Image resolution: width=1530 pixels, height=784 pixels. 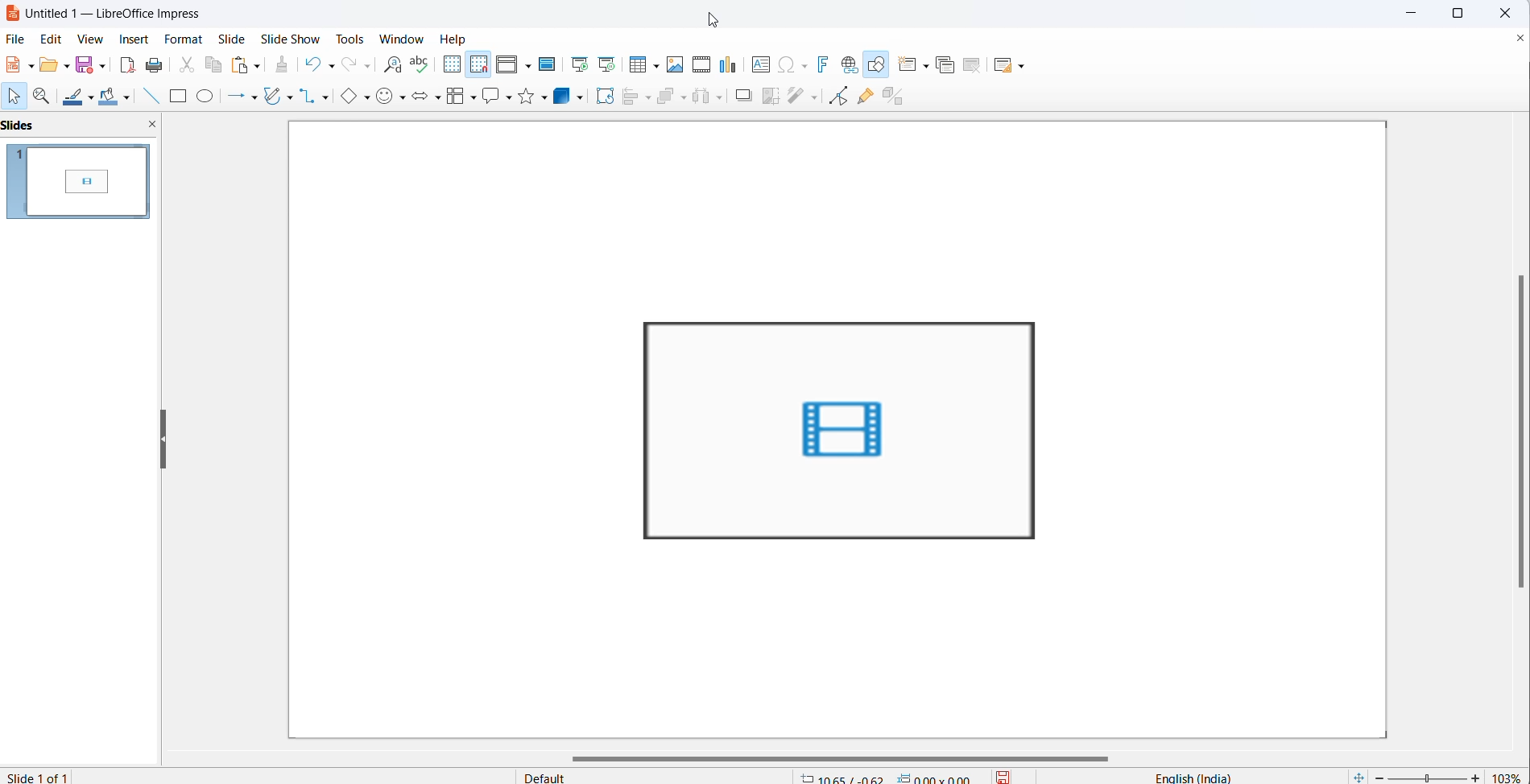 I want to click on clone formatting, so click(x=284, y=65).